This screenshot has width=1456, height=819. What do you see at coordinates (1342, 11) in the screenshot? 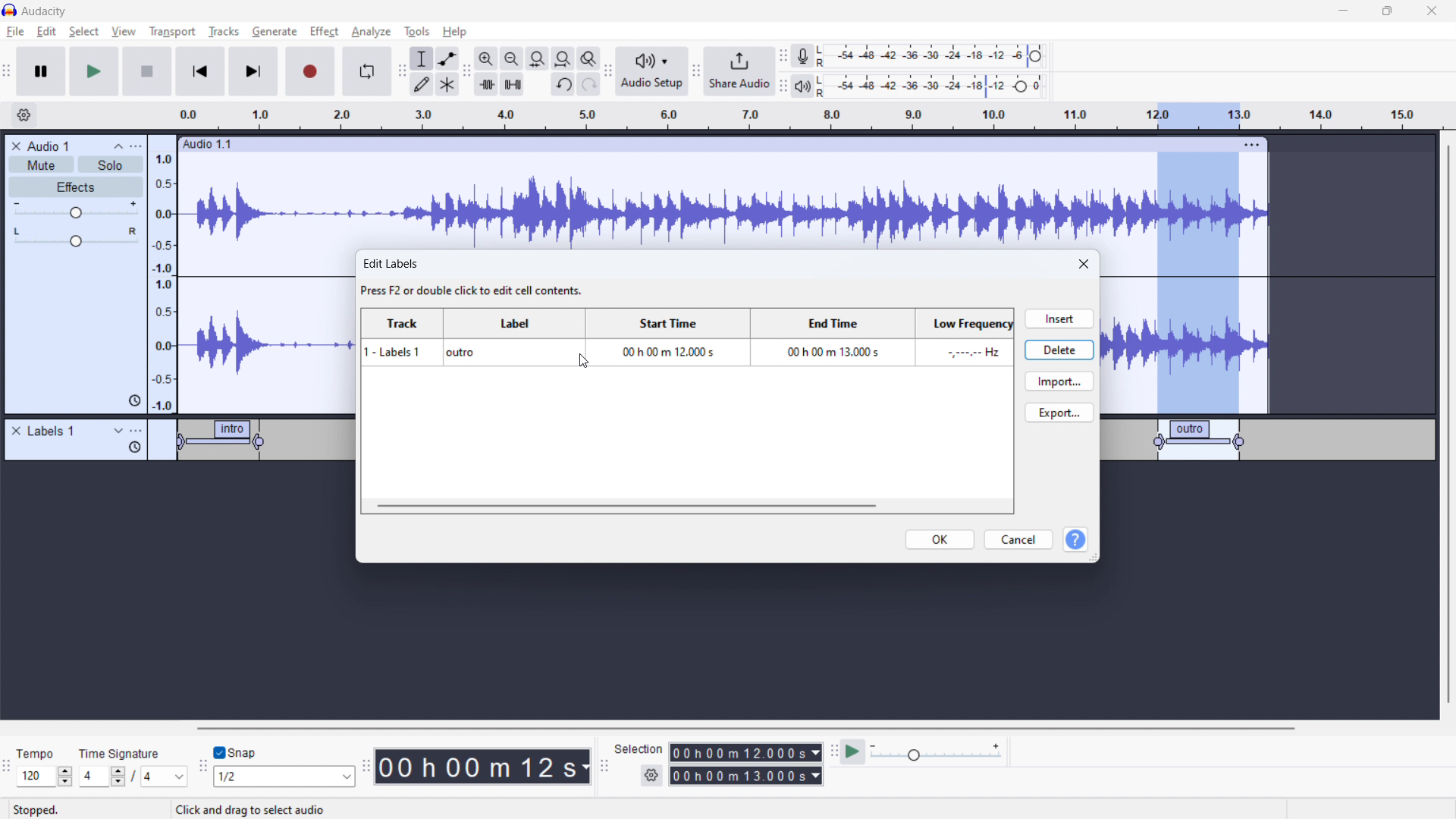
I see `minimize` at bounding box center [1342, 11].